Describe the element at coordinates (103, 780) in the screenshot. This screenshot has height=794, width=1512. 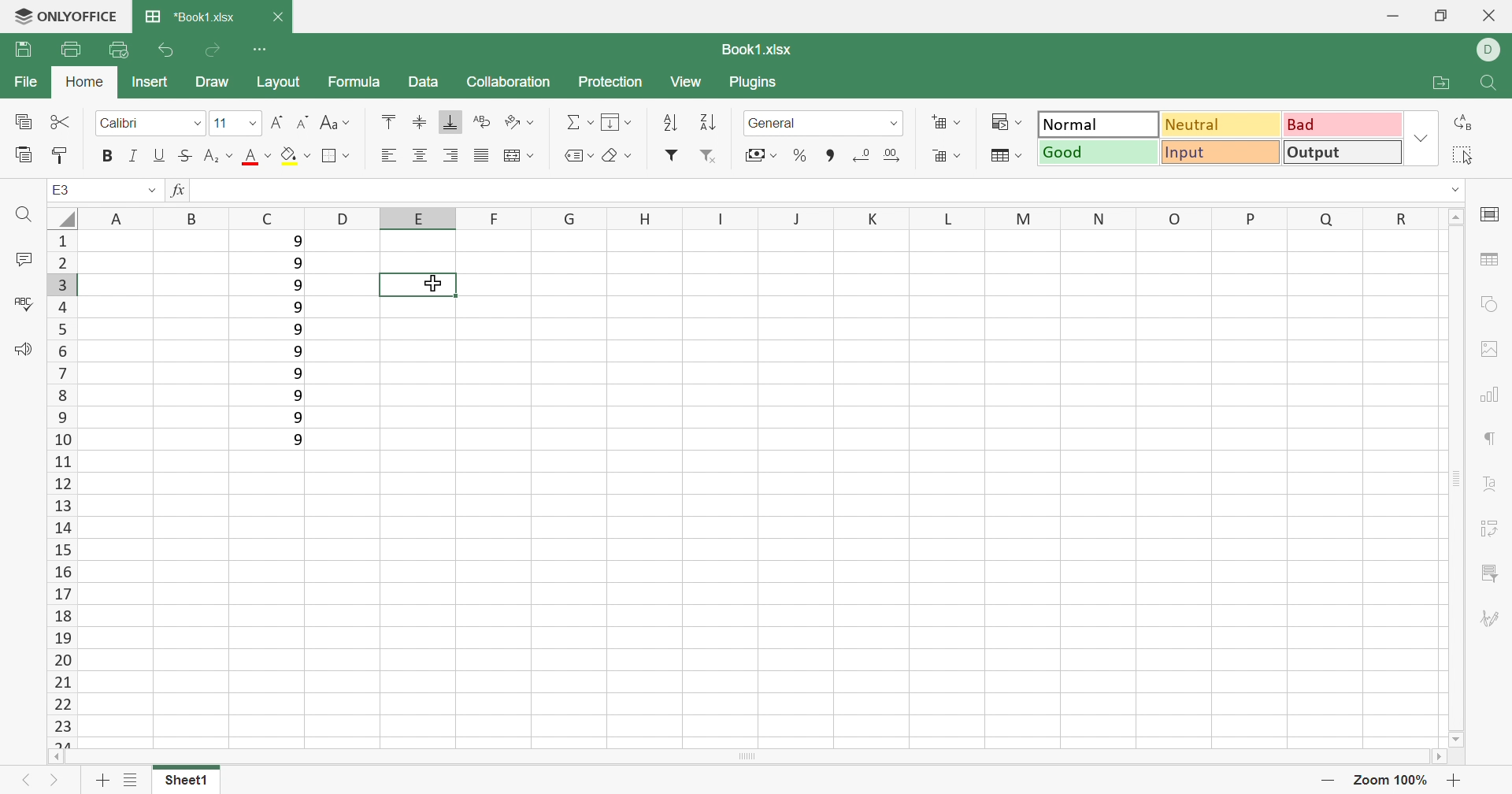
I see `Add sheet` at that location.